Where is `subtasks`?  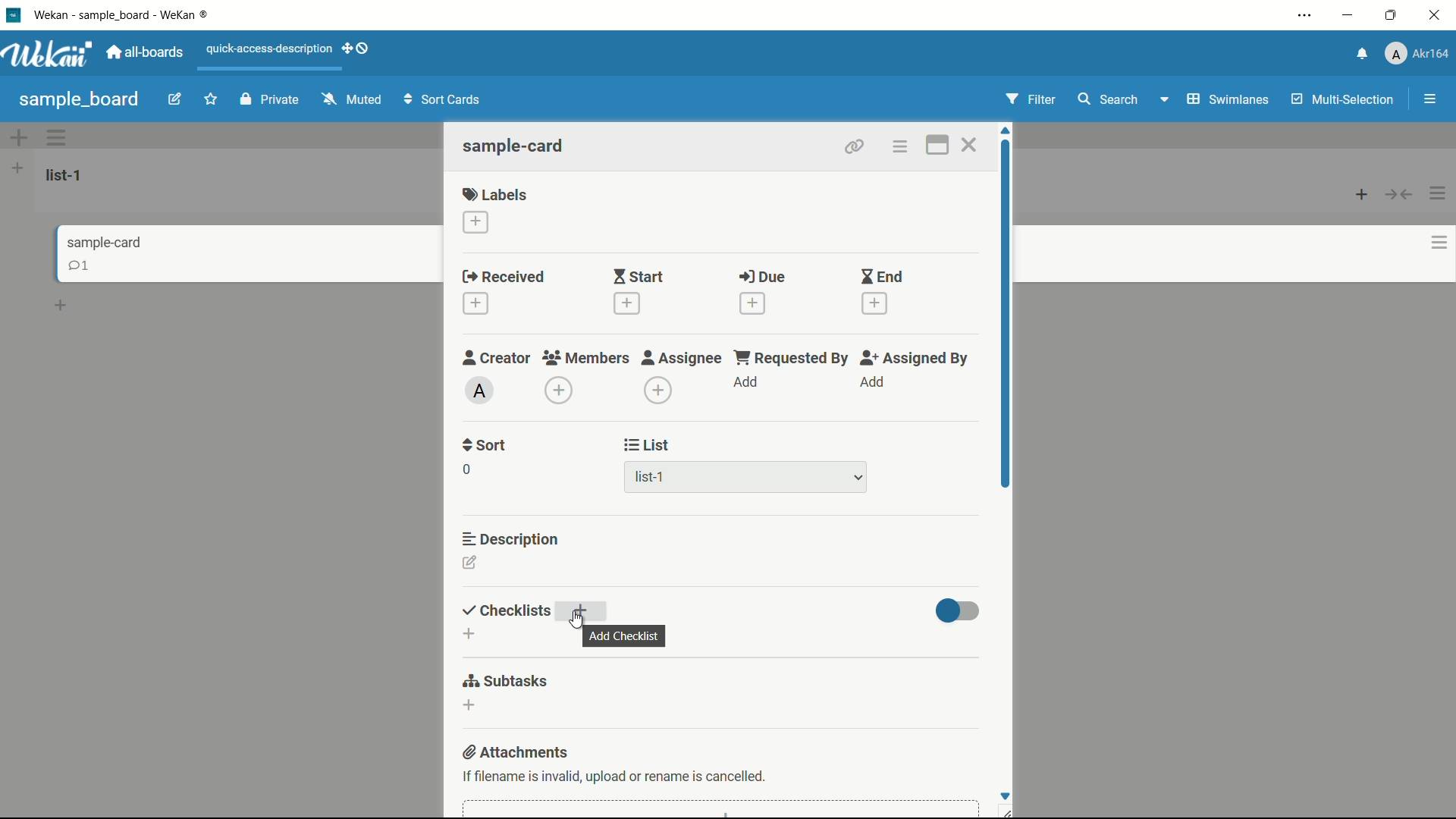 subtasks is located at coordinates (504, 682).